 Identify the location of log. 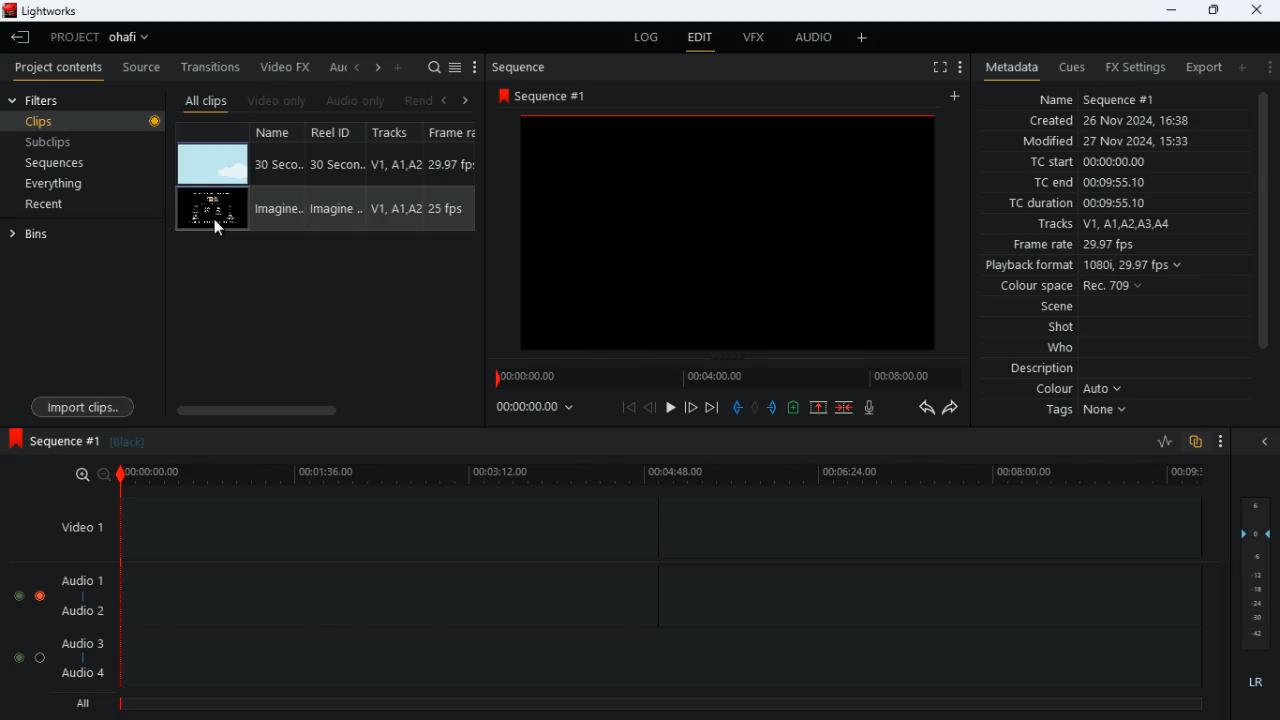
(650, 38).